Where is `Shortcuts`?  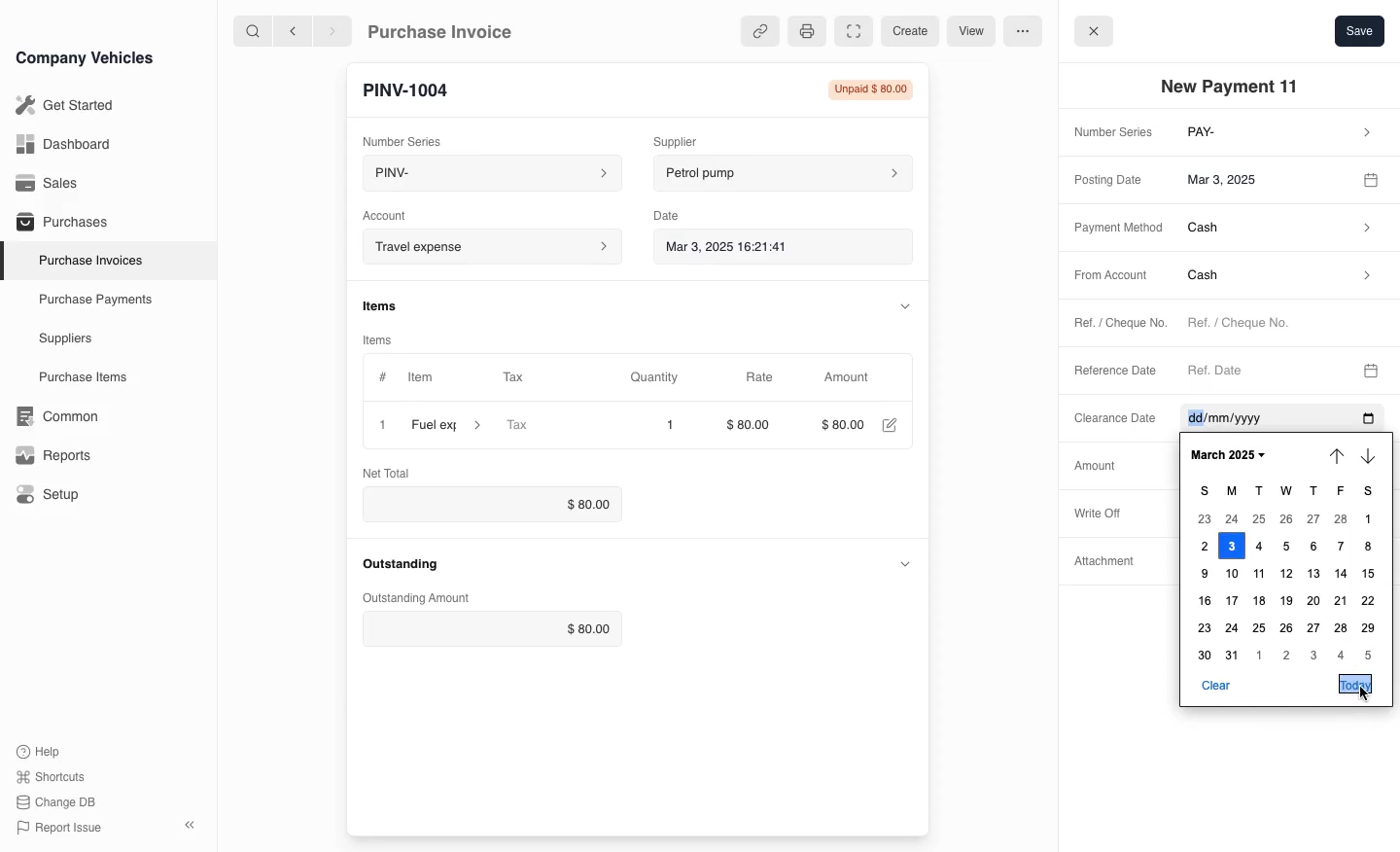
Shortcuts is located at coordinates (52, 778).